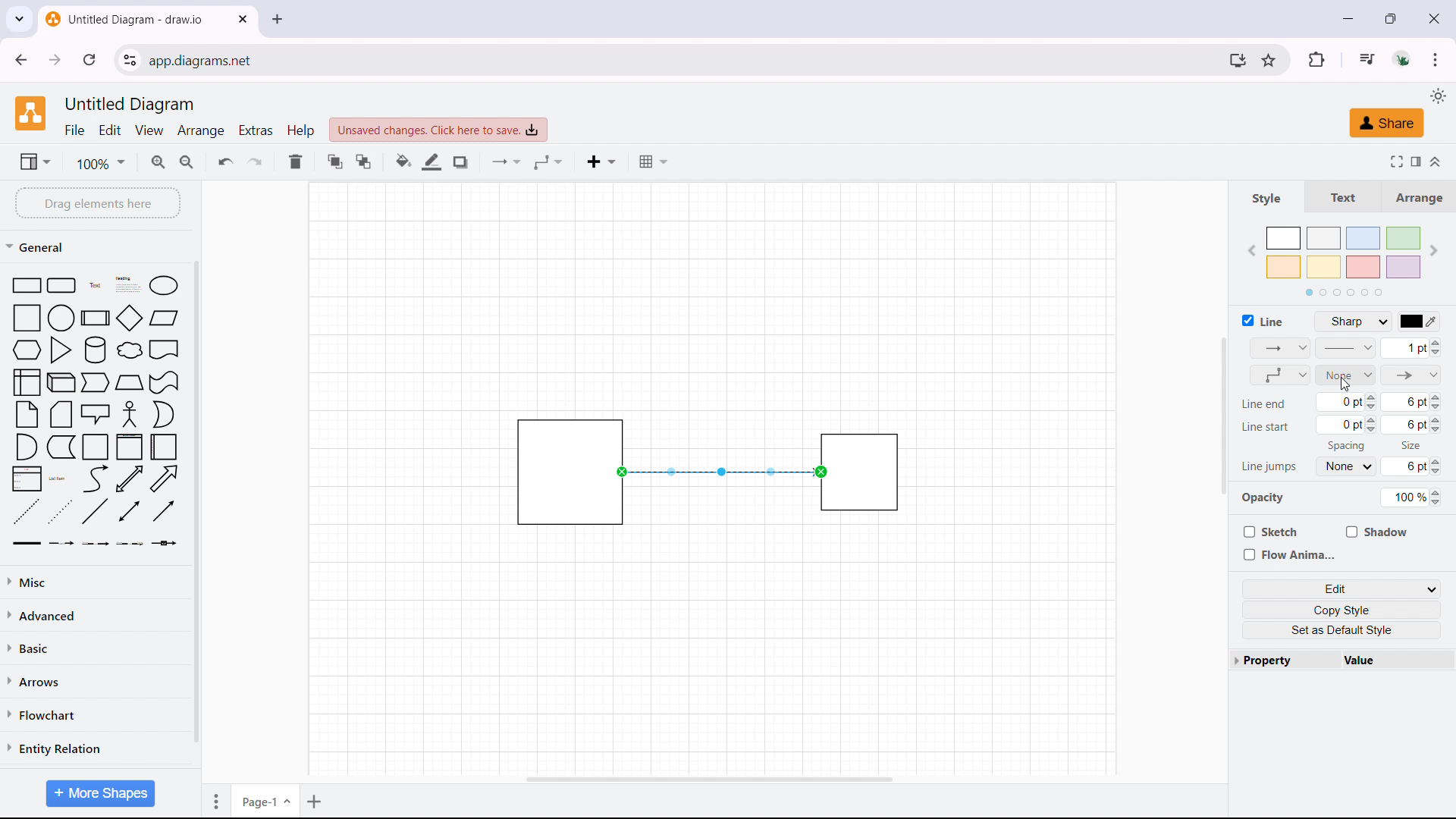 Image resolution: width=1456 pixels, height=819 pixels. I want to click on property, so click(1285, 659).